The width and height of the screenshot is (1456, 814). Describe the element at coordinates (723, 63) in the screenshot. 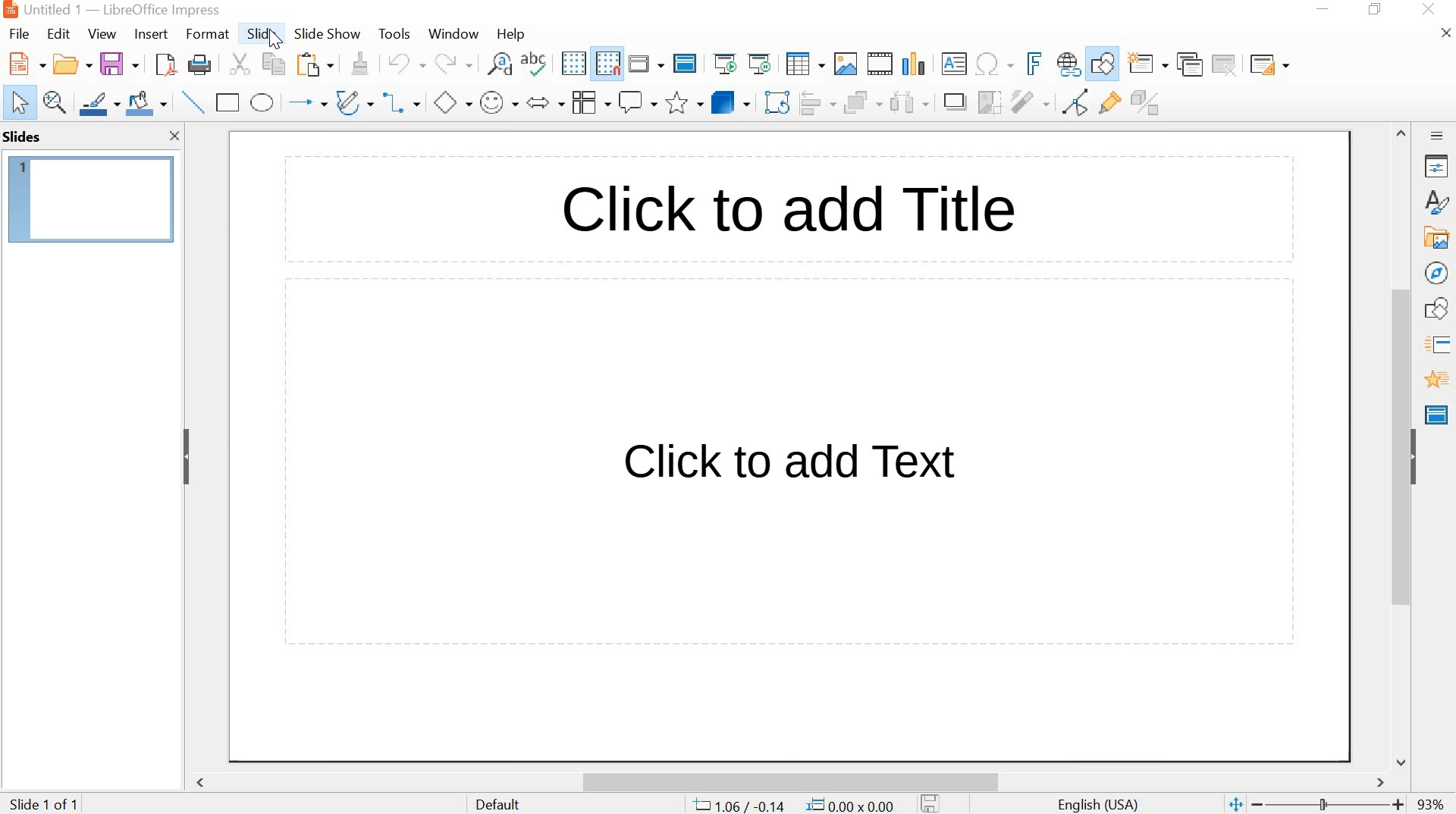

I see `Start from first slide` at that location.